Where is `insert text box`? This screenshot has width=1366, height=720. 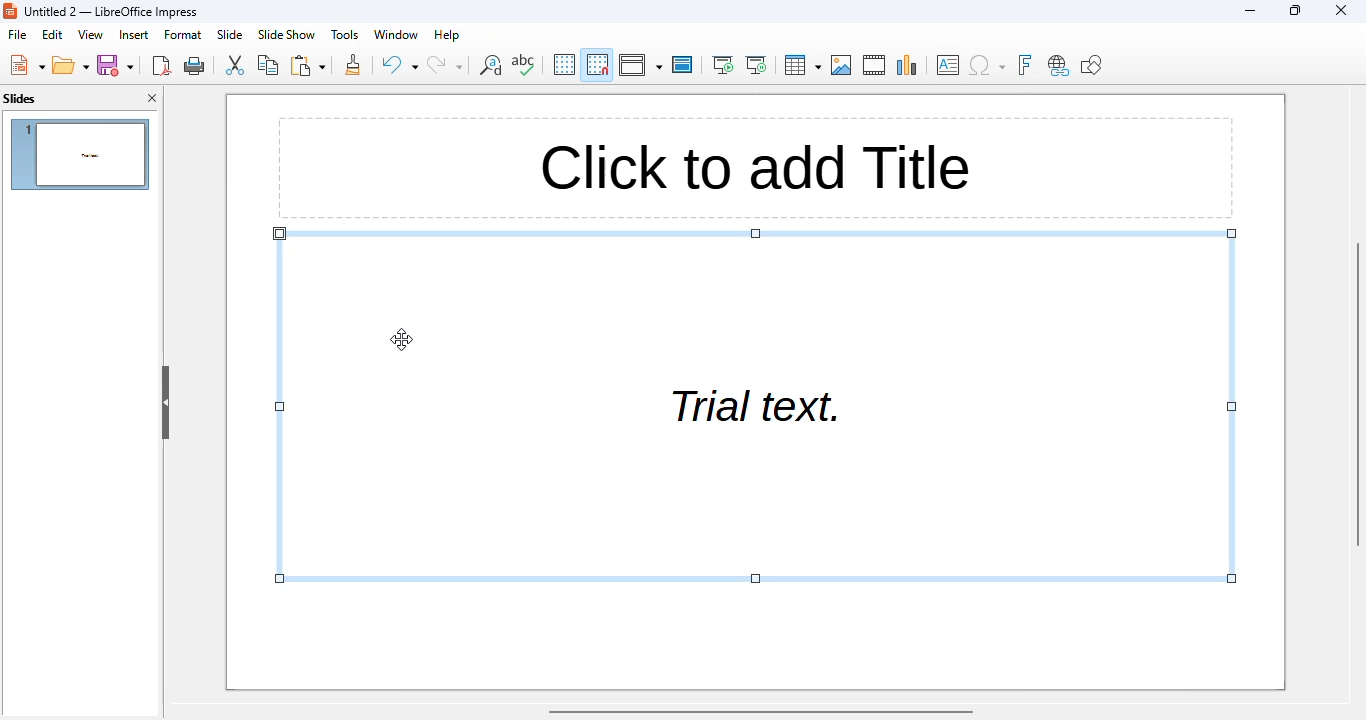 insert text box is located at coordinates (949, 65).